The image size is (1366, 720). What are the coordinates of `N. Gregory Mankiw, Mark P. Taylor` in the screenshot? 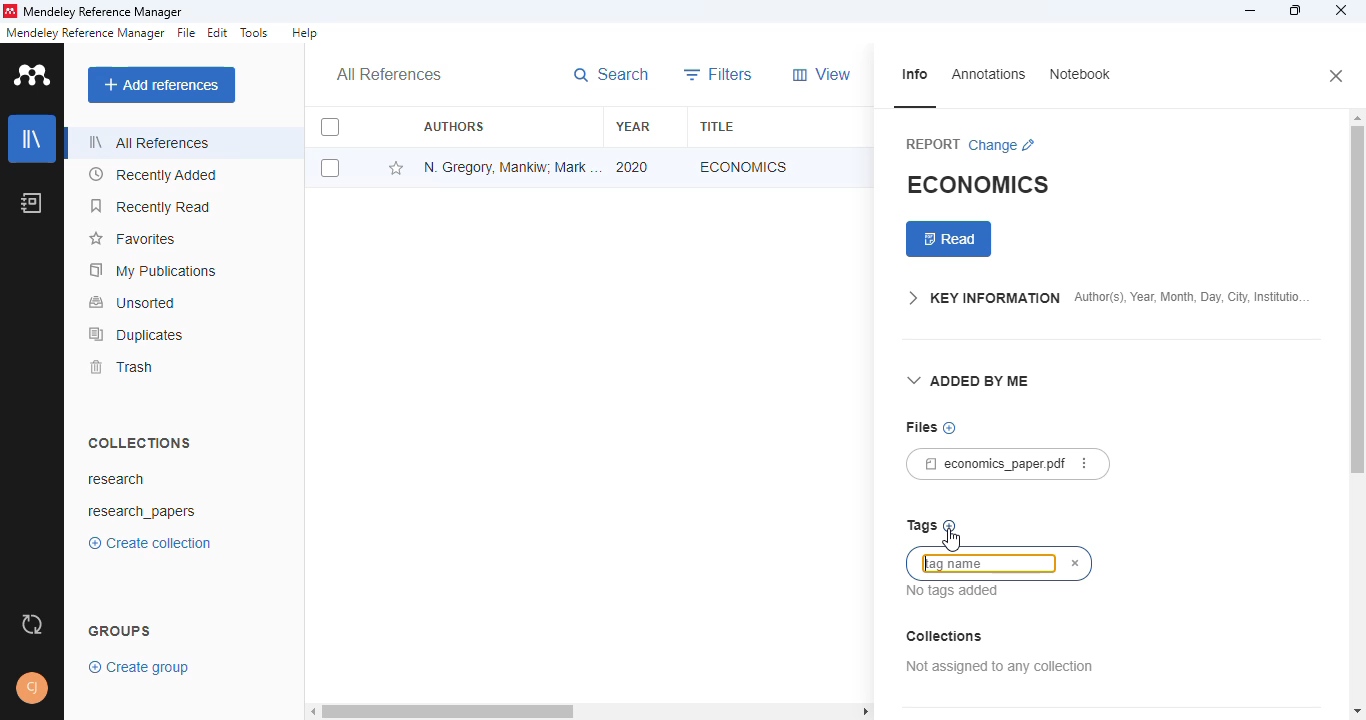 It's located at (513, 166).